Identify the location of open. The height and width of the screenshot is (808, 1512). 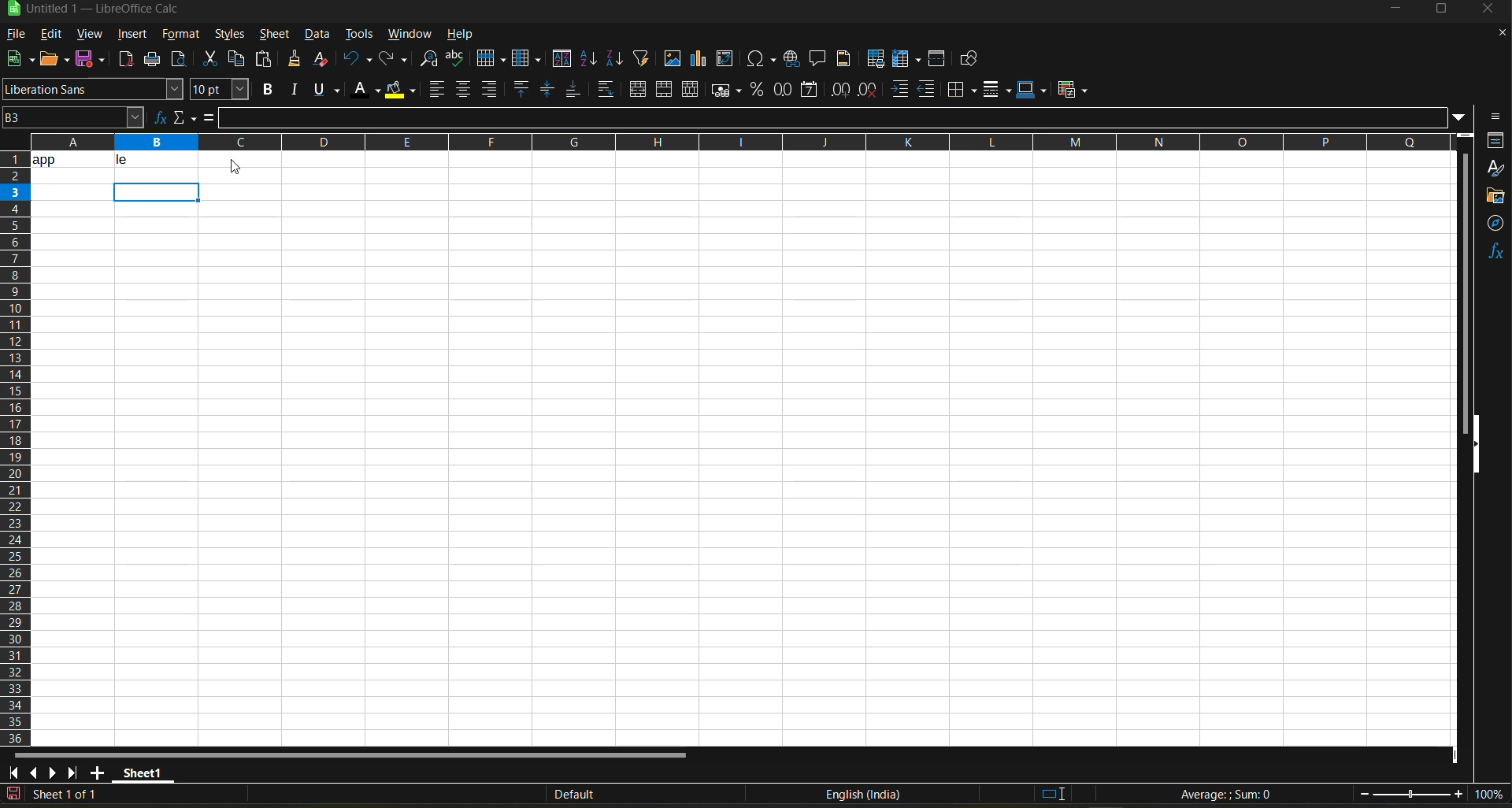
(56, 60).